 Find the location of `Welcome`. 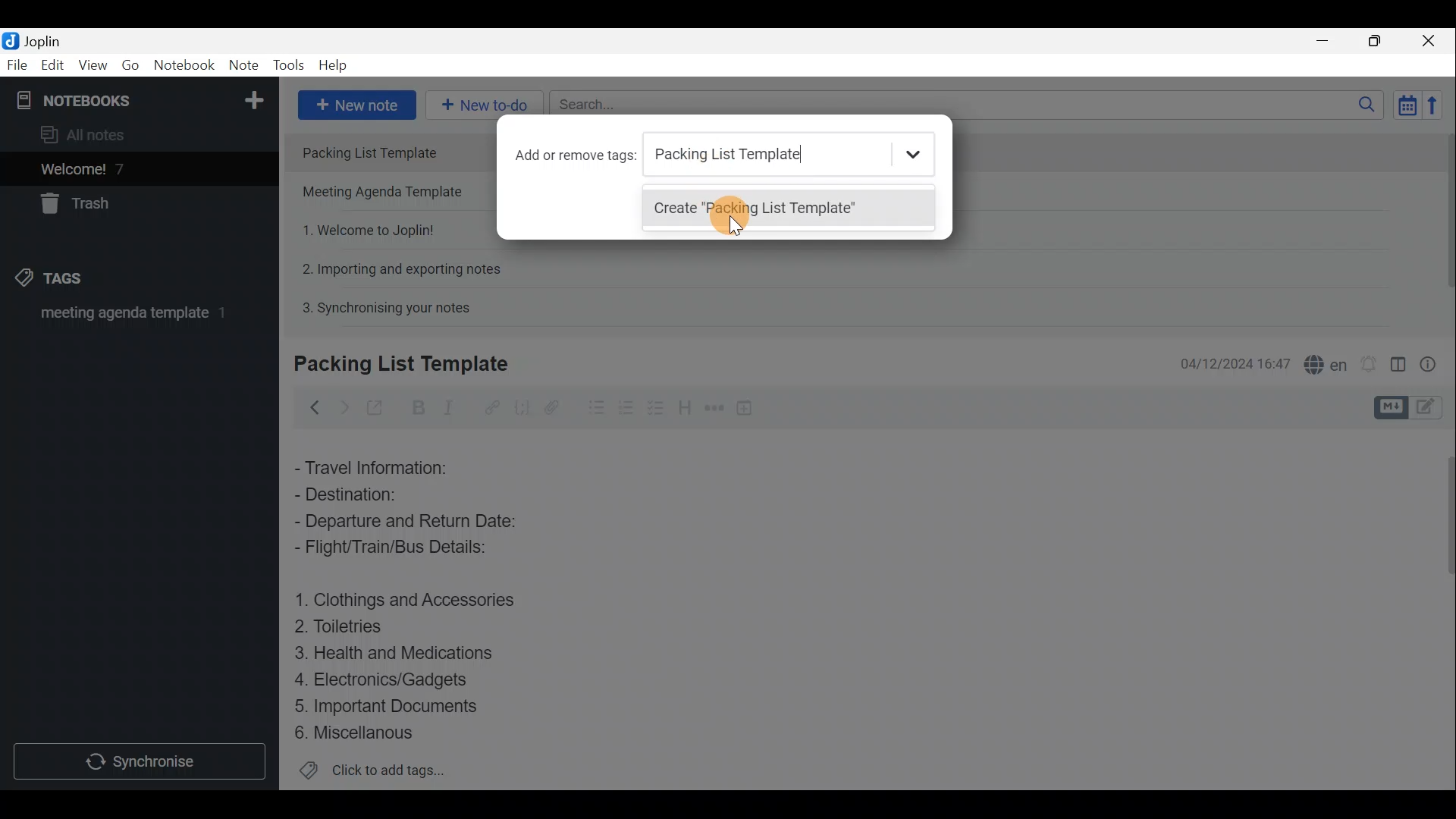

Welcome is located at coordinates (116, 168).